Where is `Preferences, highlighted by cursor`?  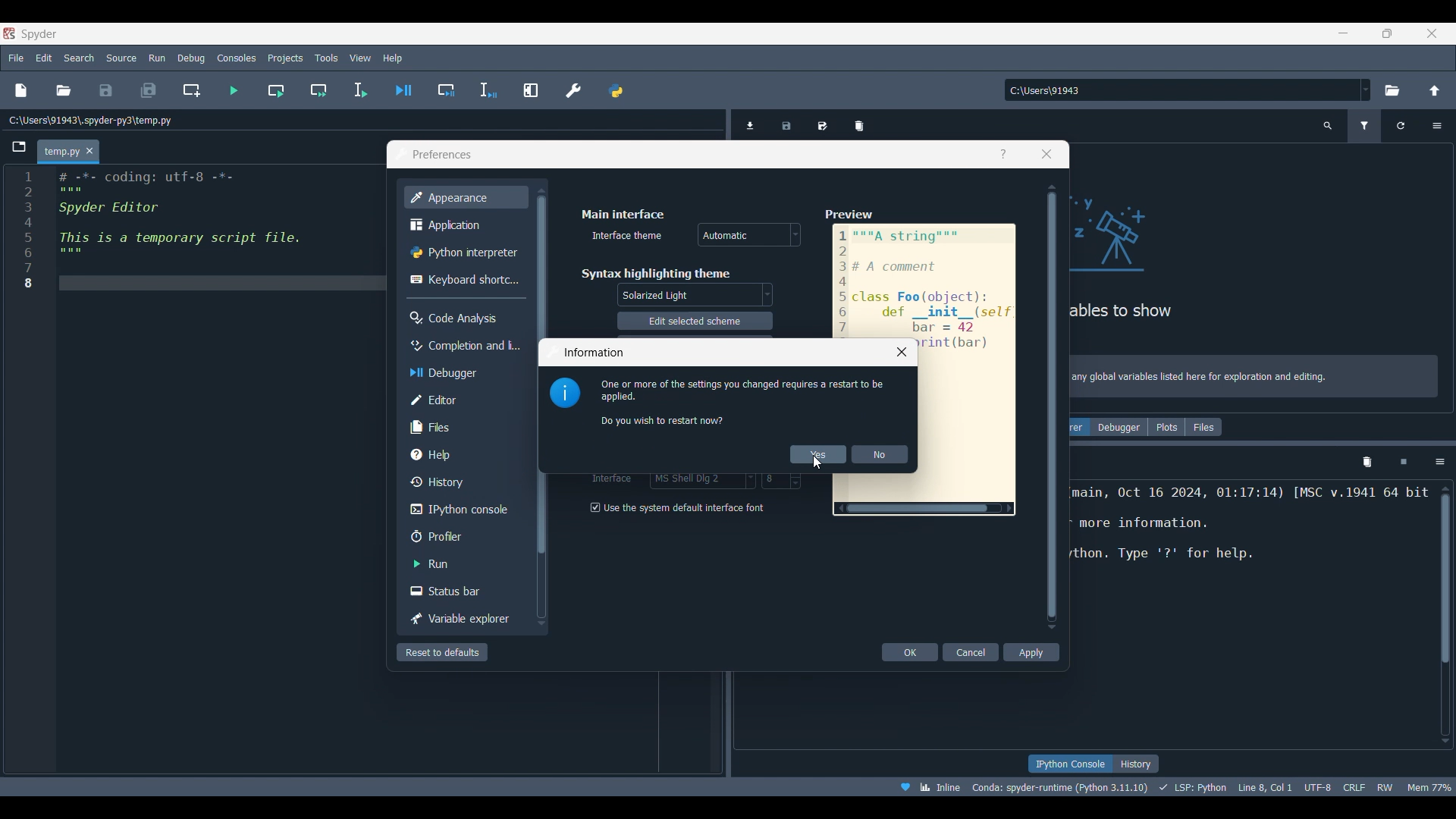
Preferences, highlighted by cursor is located at coordinates (569, 88).